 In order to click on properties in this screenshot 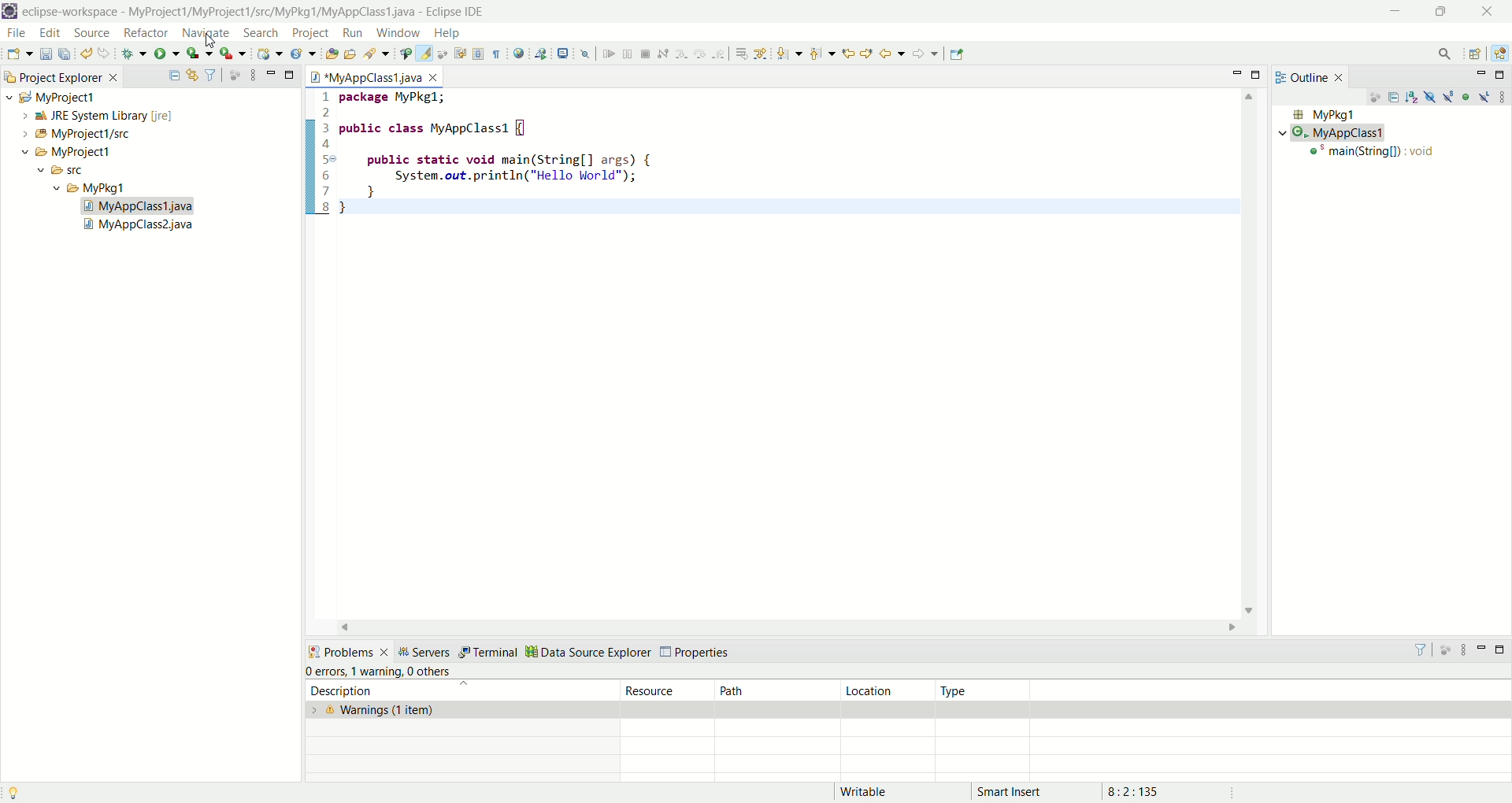, I will do `click(698, 653)`.